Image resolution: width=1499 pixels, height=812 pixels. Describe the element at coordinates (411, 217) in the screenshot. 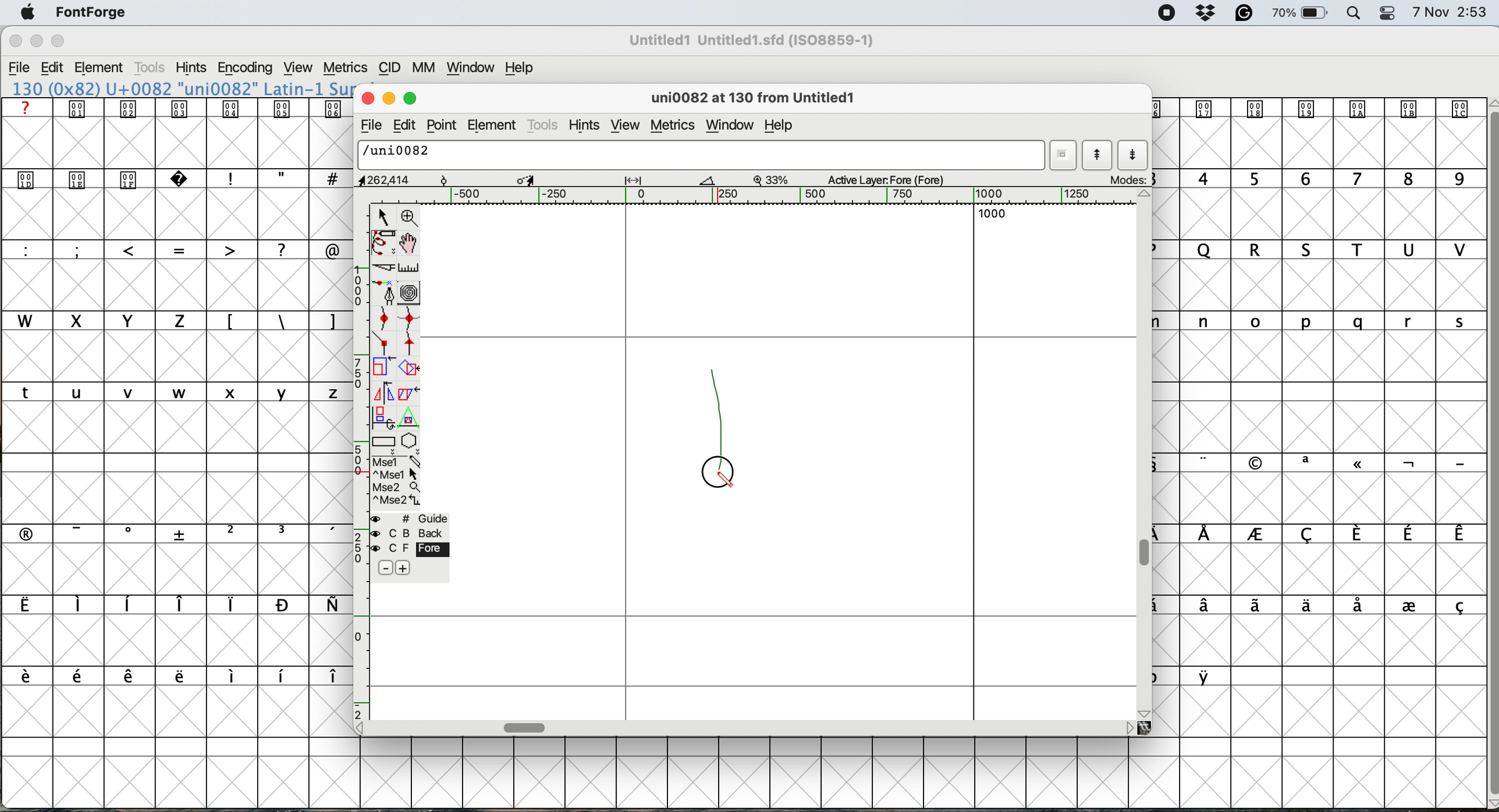

I see `zoom in` at that location.